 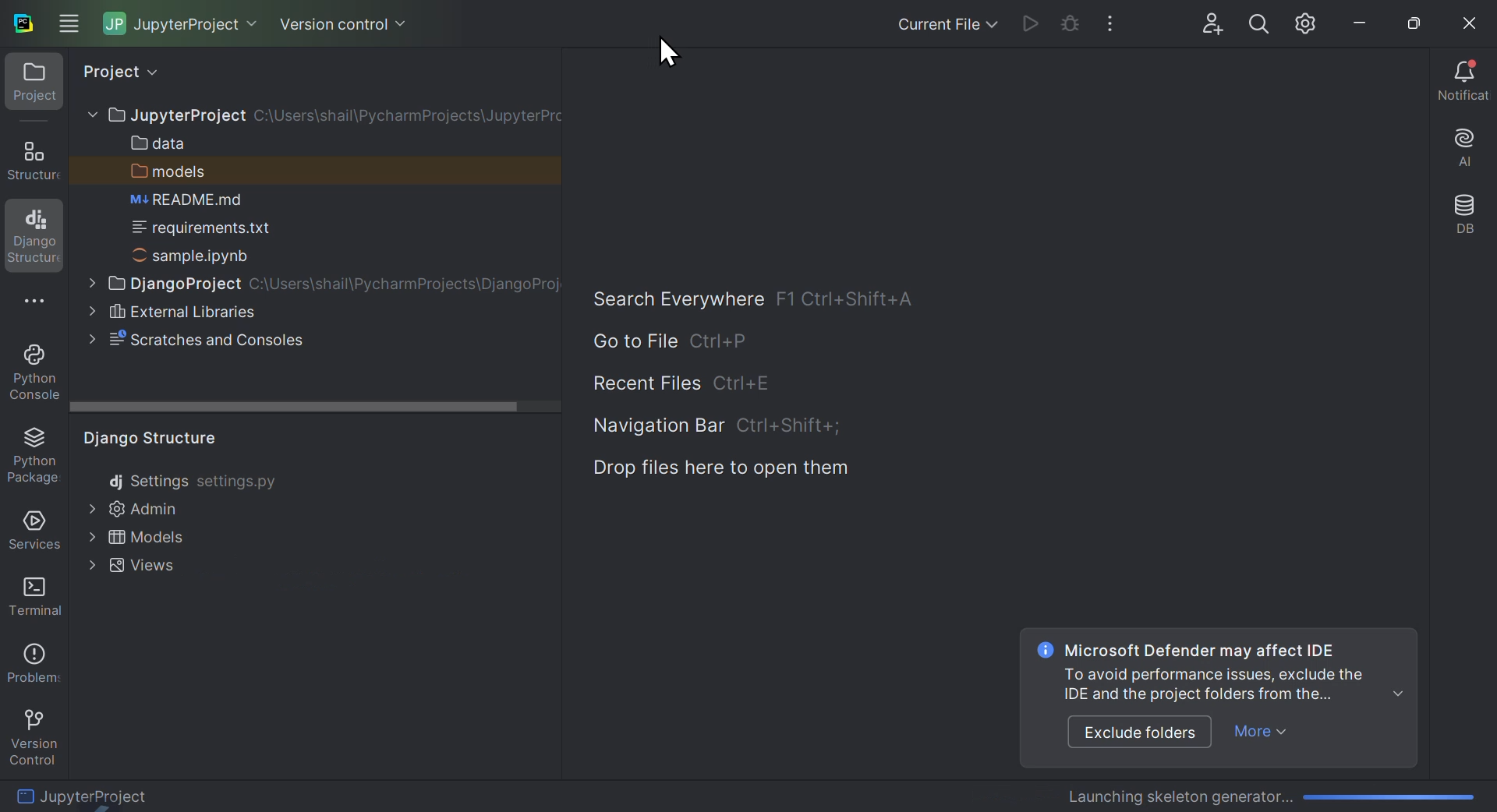 I want to click on Jupiter project path, so click(x=320, y=113).